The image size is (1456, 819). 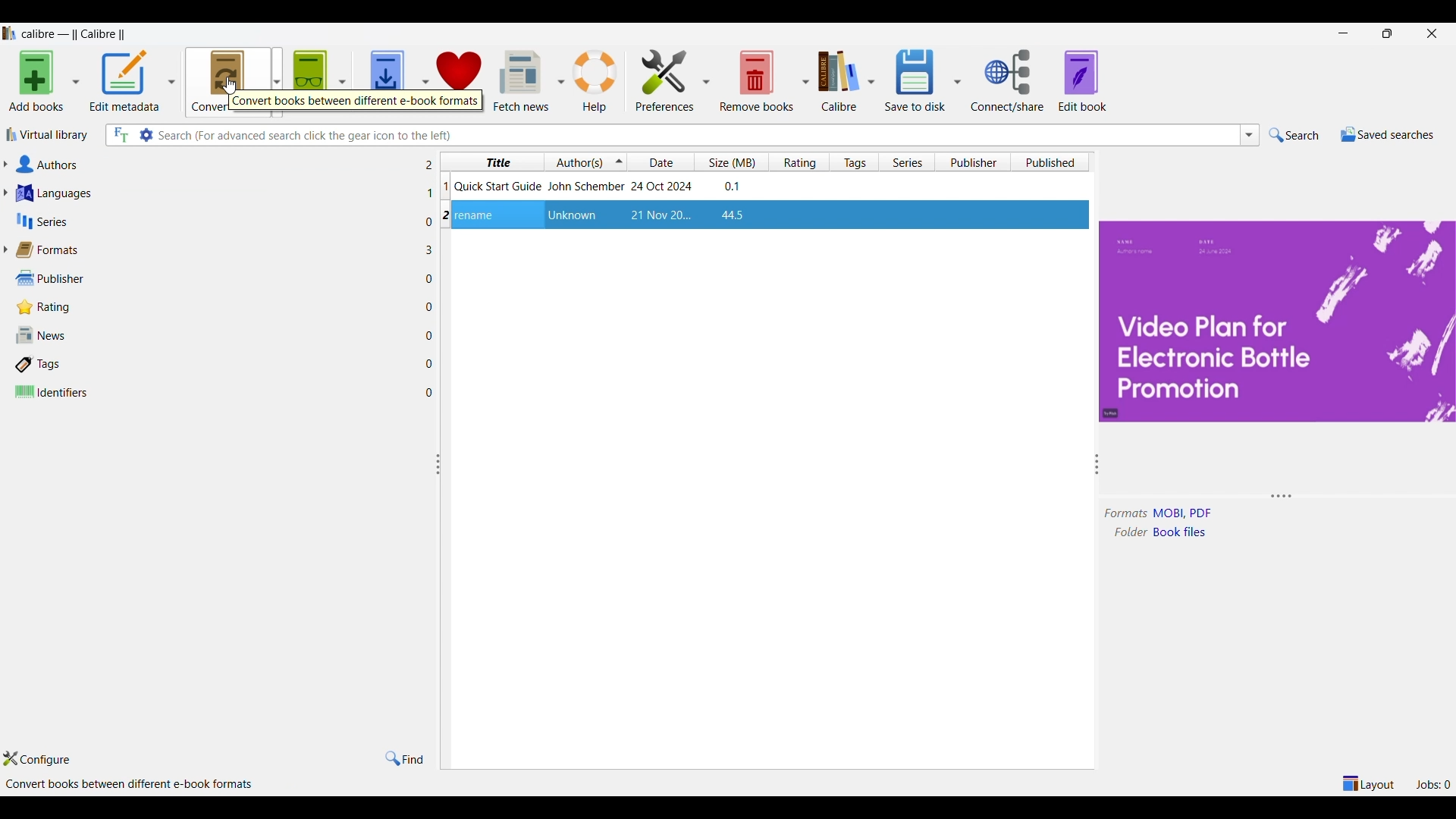 I want to click on Authors column, current sorting, so click(x=586, y=162).